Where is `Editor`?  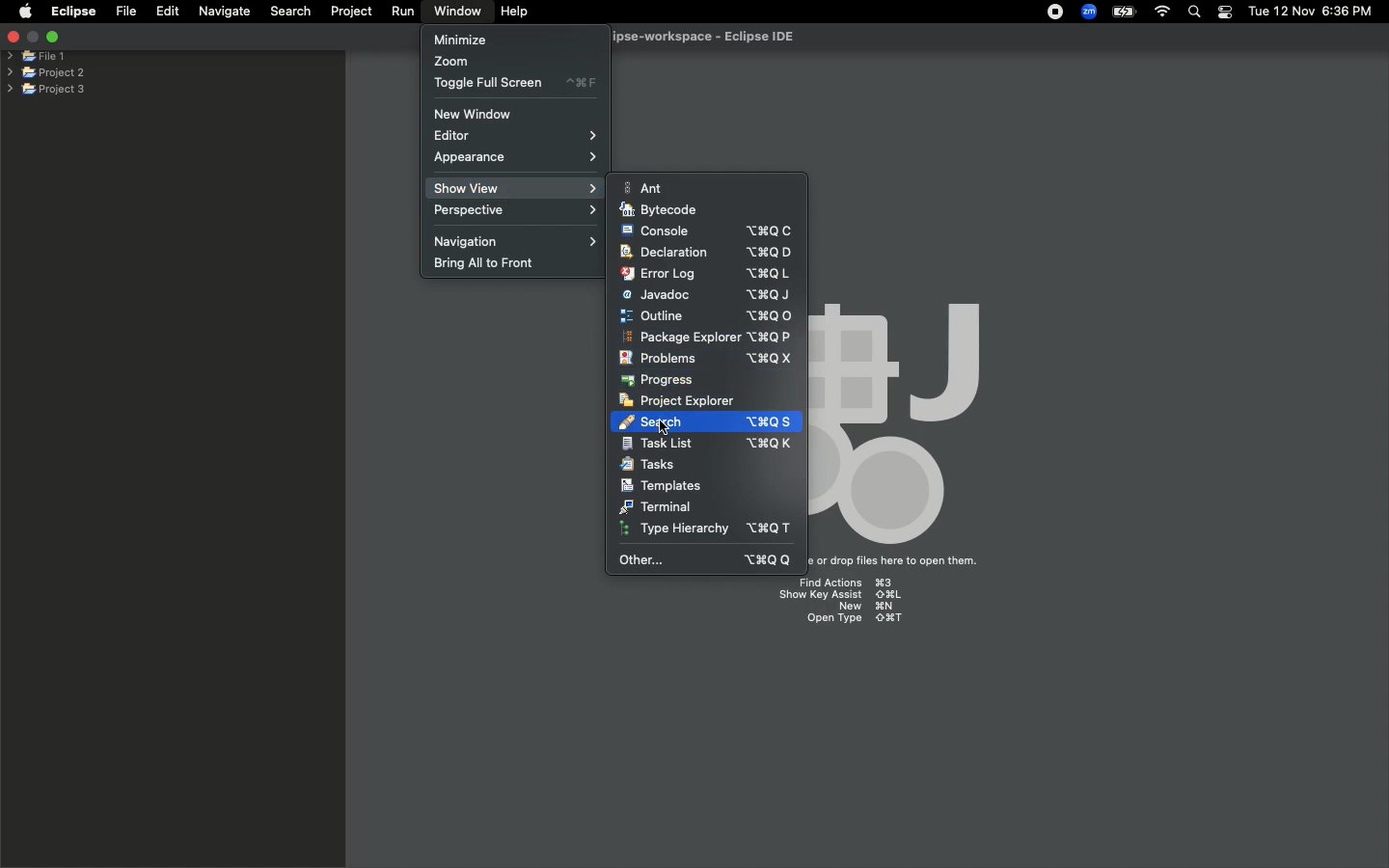 Editor is located at coordinates (520, 136).